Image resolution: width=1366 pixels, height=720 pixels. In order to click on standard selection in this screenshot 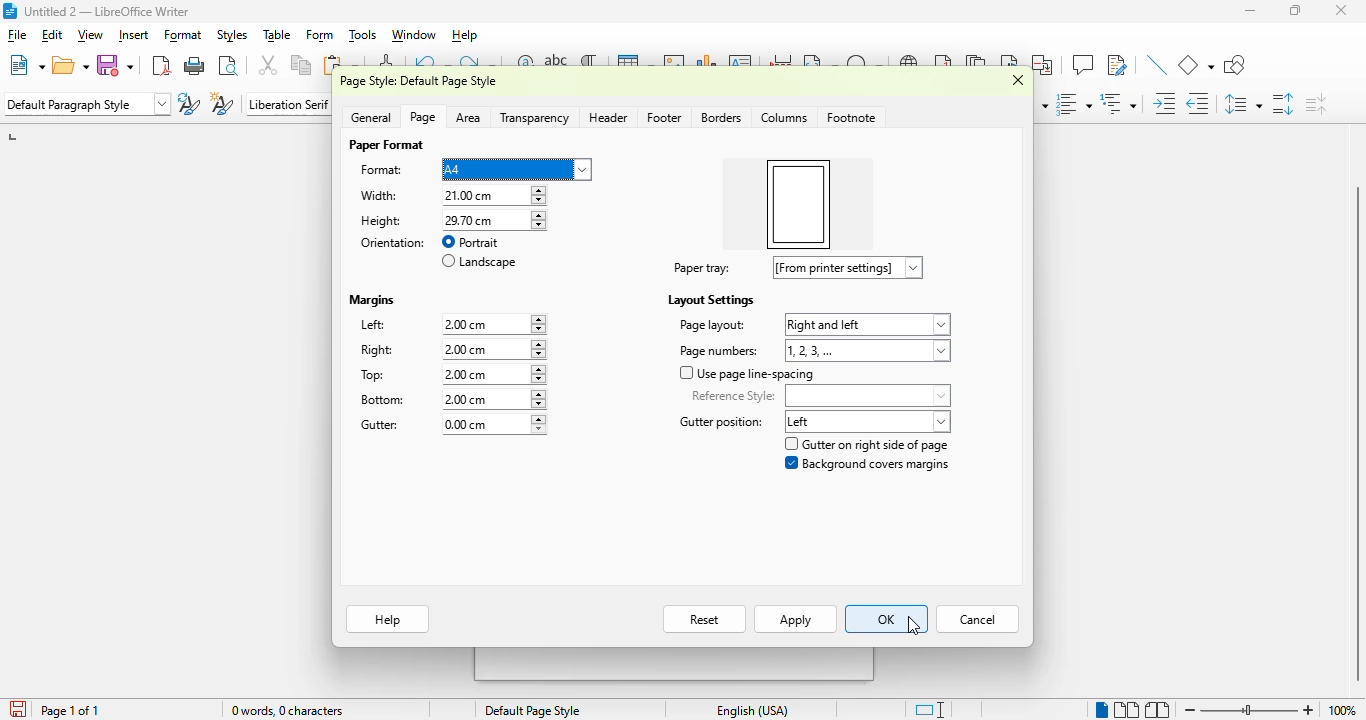, I will do `click(930, 710)`.